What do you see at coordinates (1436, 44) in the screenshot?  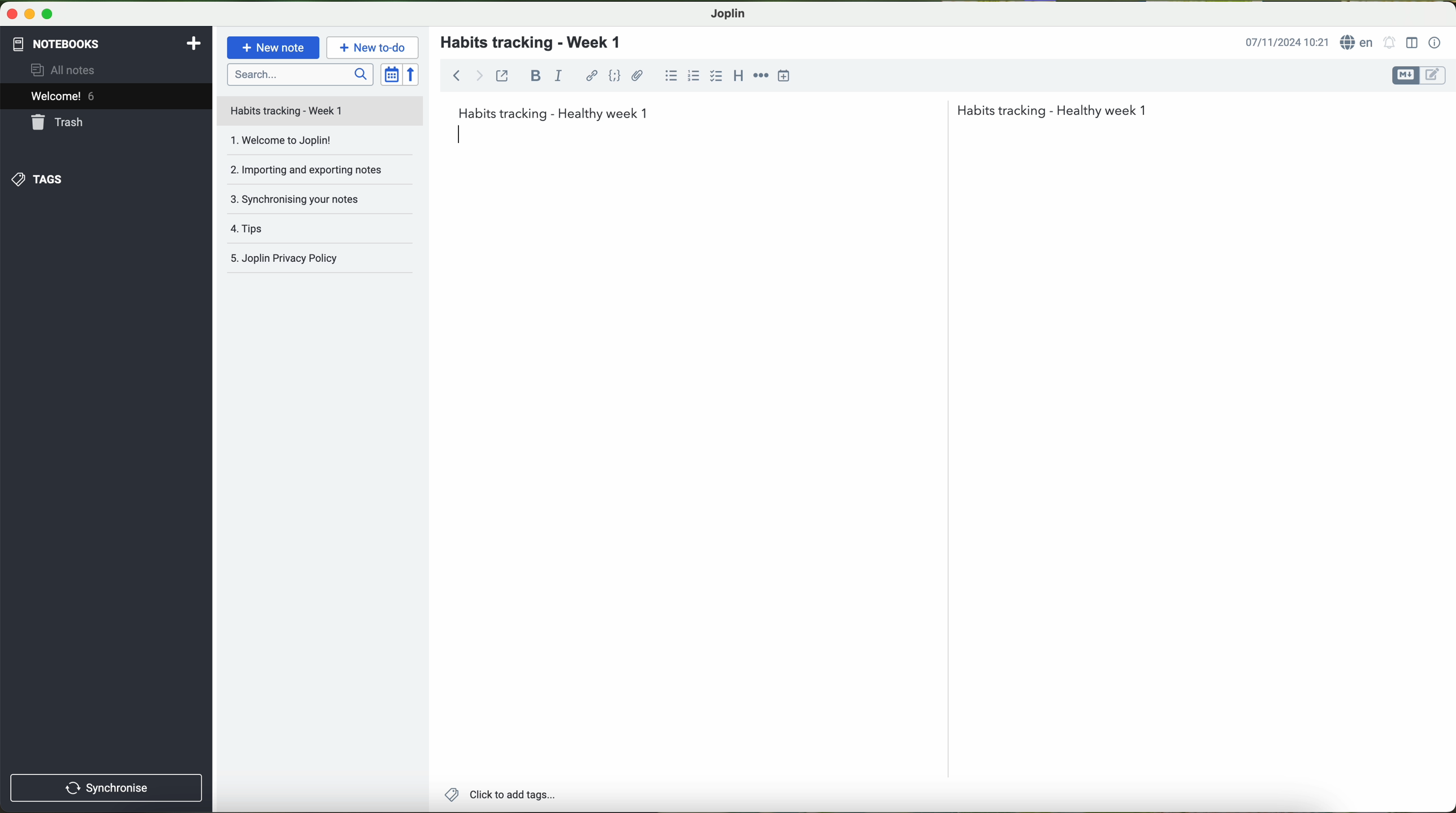 I see `note properties` at bounding box center [1436, 44].